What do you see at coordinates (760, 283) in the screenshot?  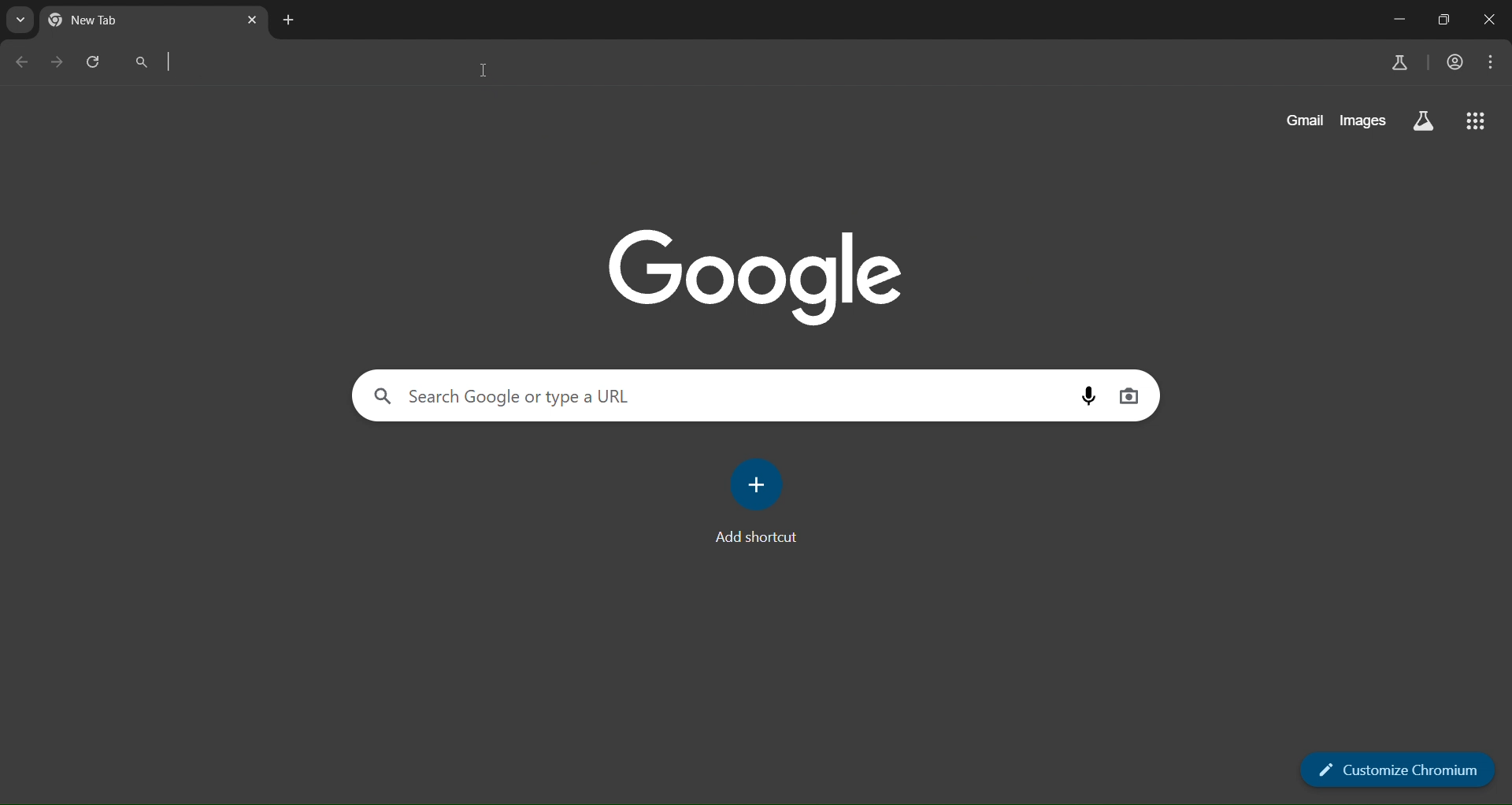 I see `google` at bounding box center [760, 283].